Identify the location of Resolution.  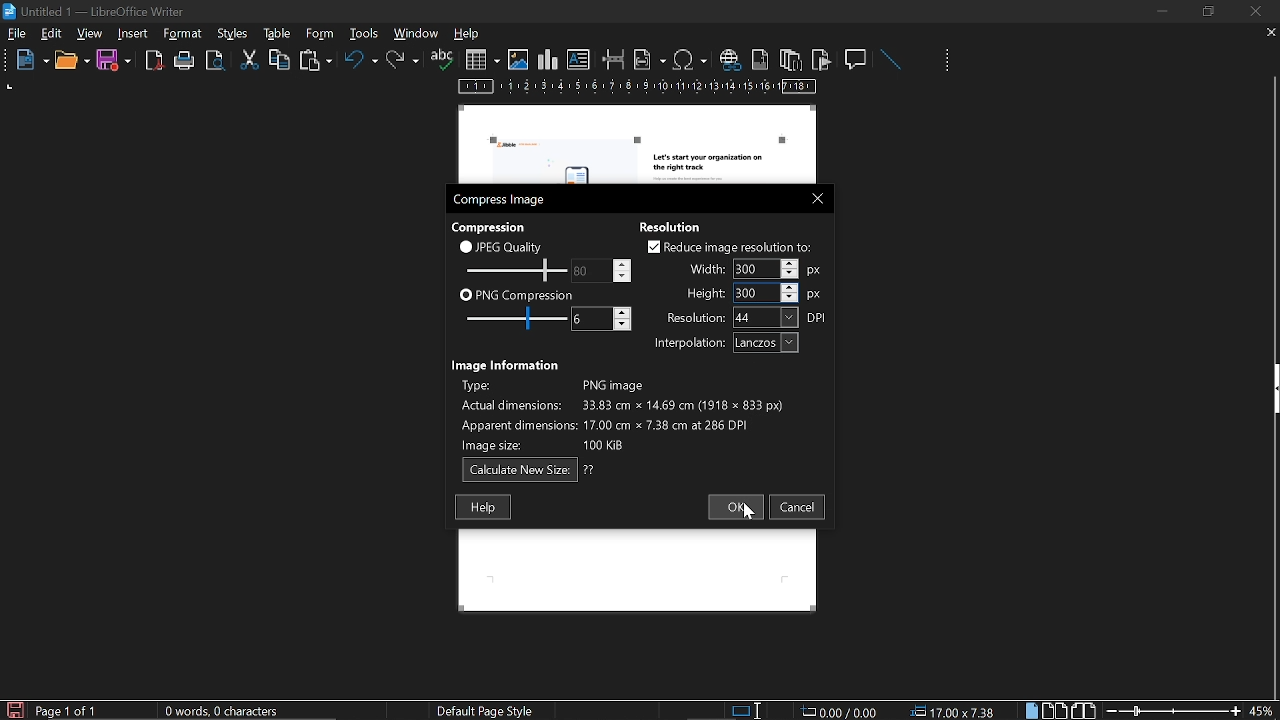
(677, 225).